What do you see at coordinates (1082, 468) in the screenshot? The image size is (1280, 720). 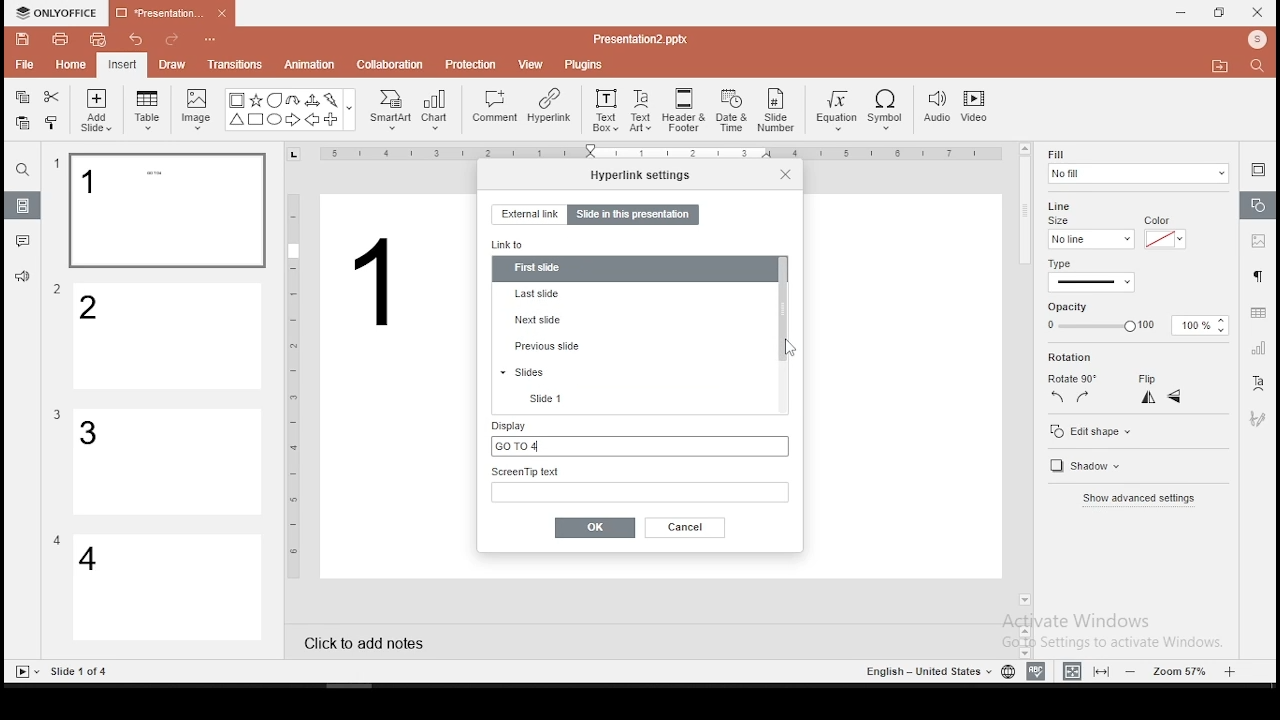 I see `shadow` at bounding box center [1082, 468].